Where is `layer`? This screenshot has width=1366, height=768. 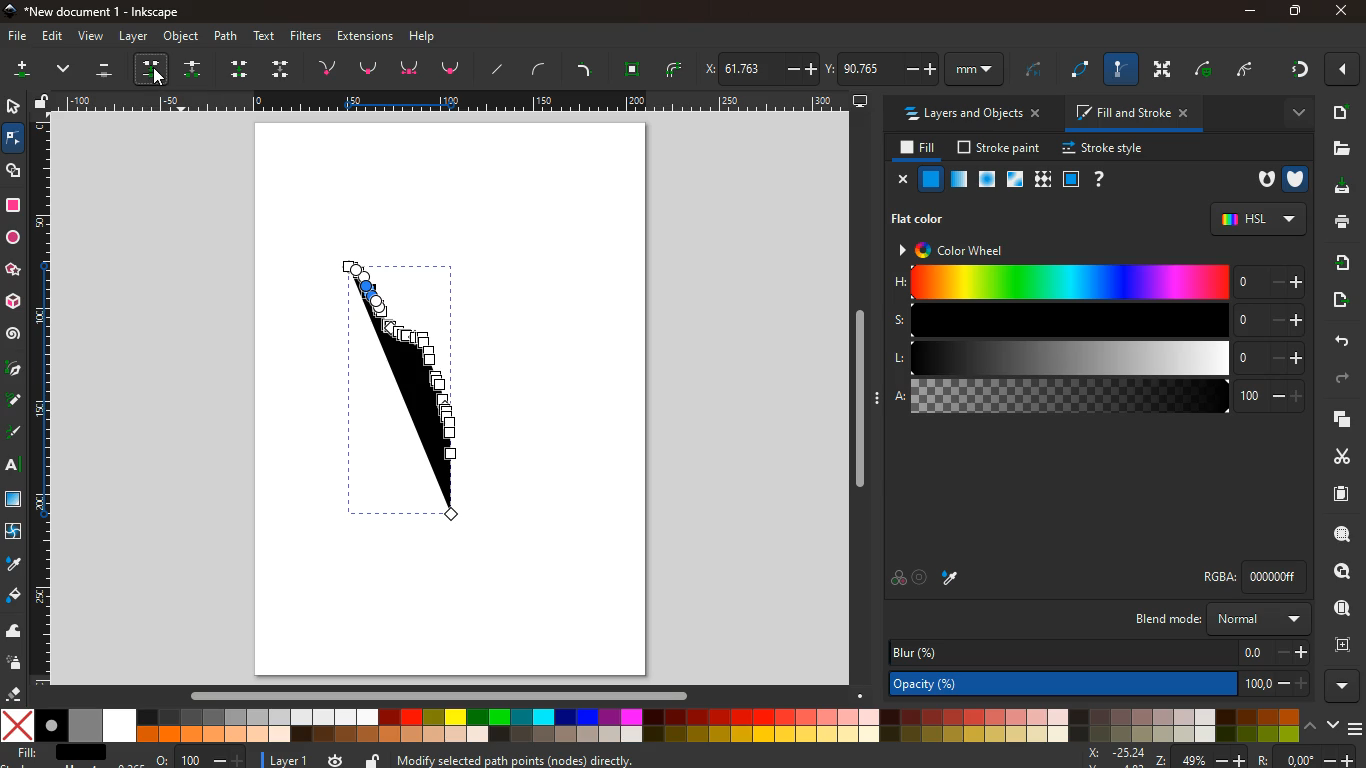
layer is located at coordinates (134, 36).